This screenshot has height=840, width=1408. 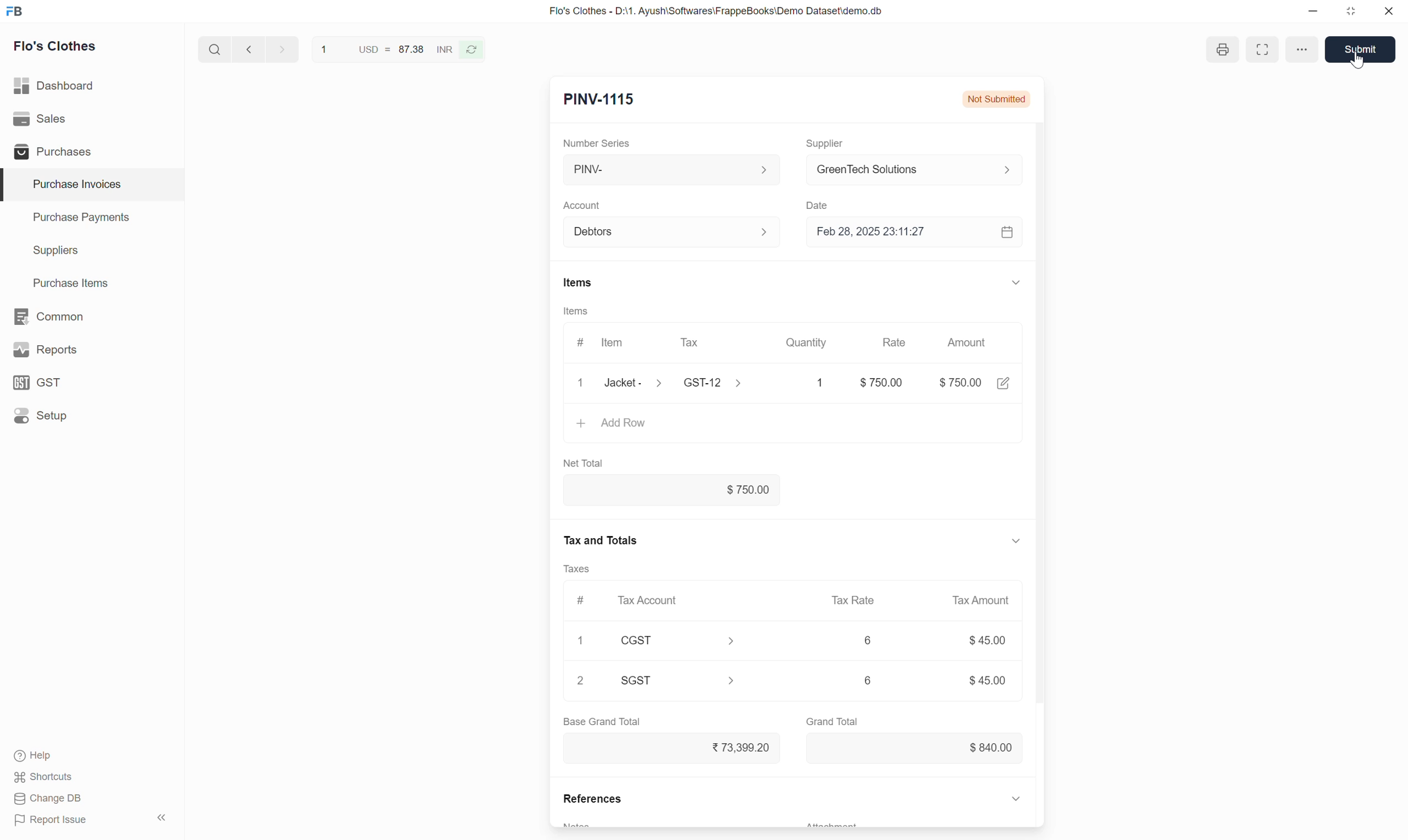 I want to click on Grand Total, so click(x=832, y=722).